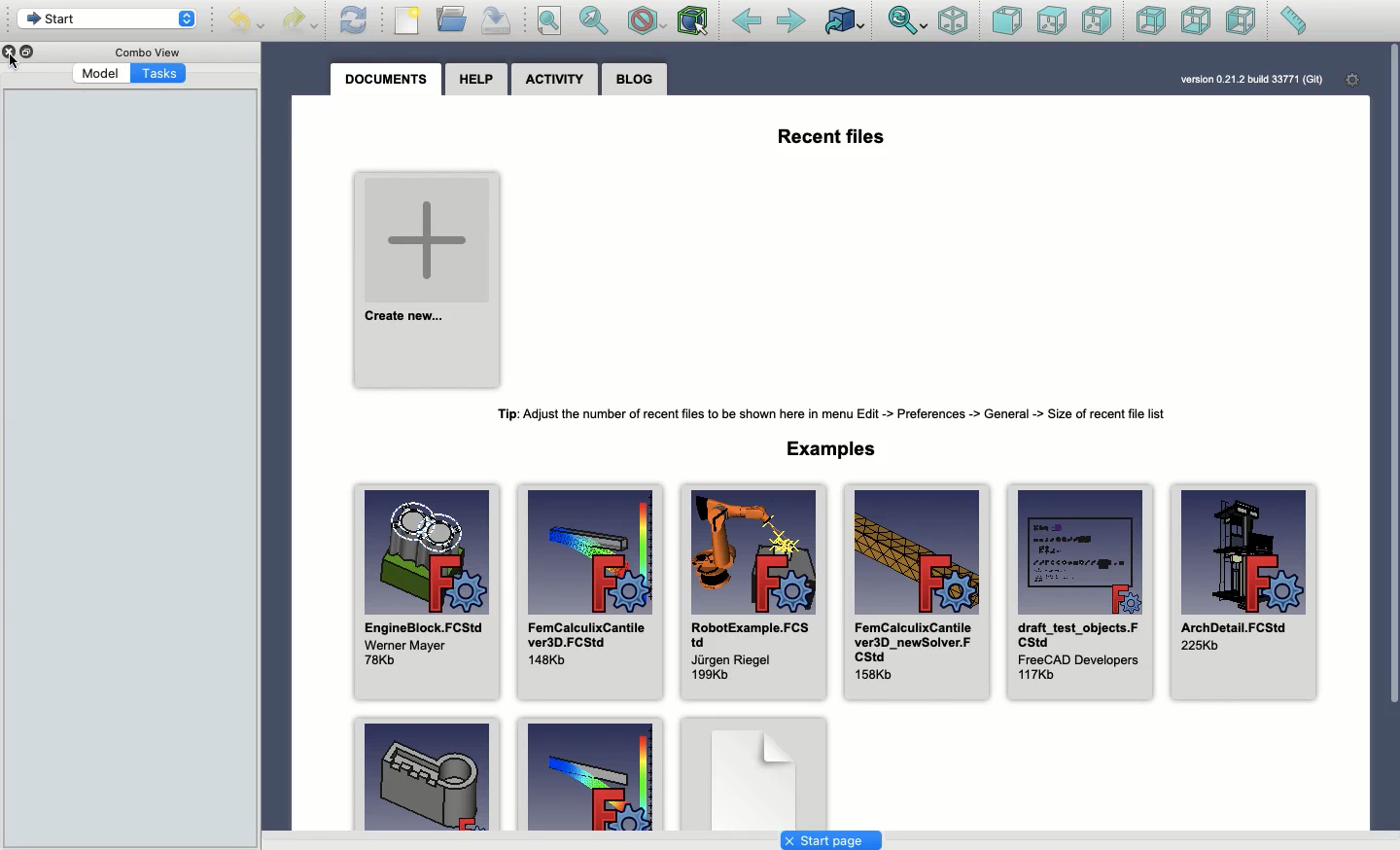  Describe the element at coordinates (829, 414) in the screenshot. I see `Tip: Adjust the number of recent files to be shown here in menu Edit-> Preferences-> General-> Size of recent file list` at that location.